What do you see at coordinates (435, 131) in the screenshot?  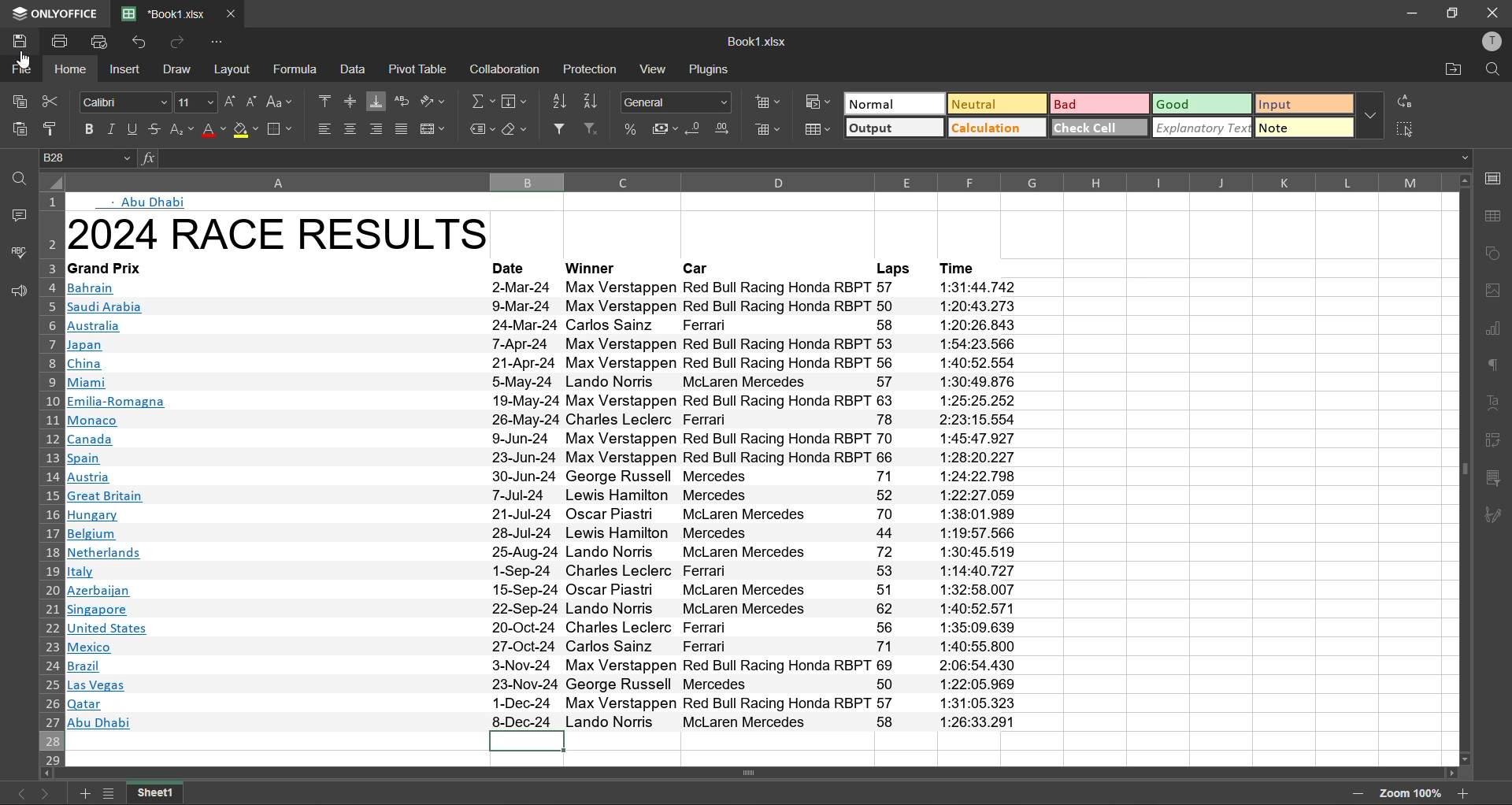 I see `merge and center` at bounding box center [435, 131].